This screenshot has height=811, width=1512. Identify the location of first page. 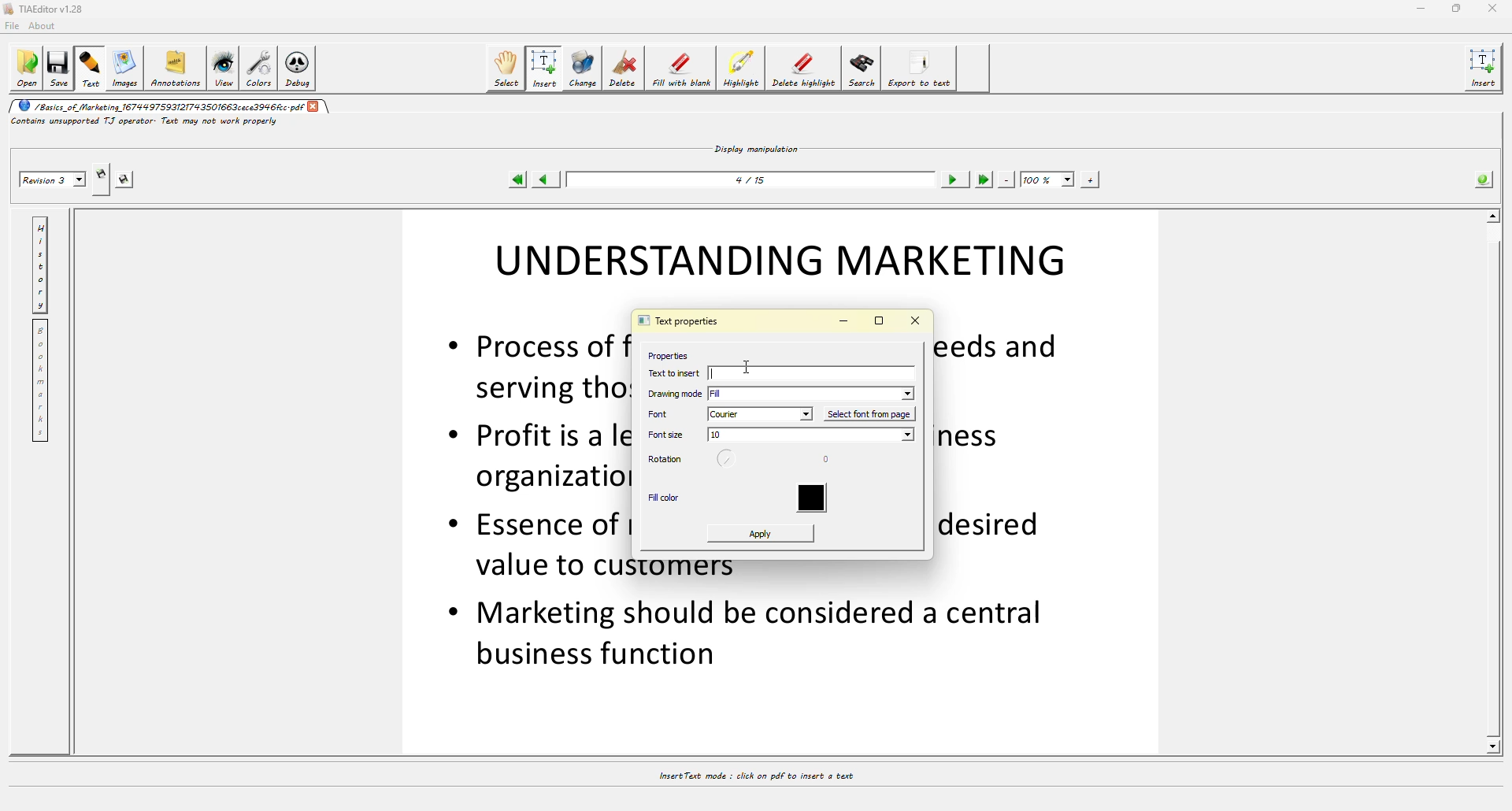
(518, 180).